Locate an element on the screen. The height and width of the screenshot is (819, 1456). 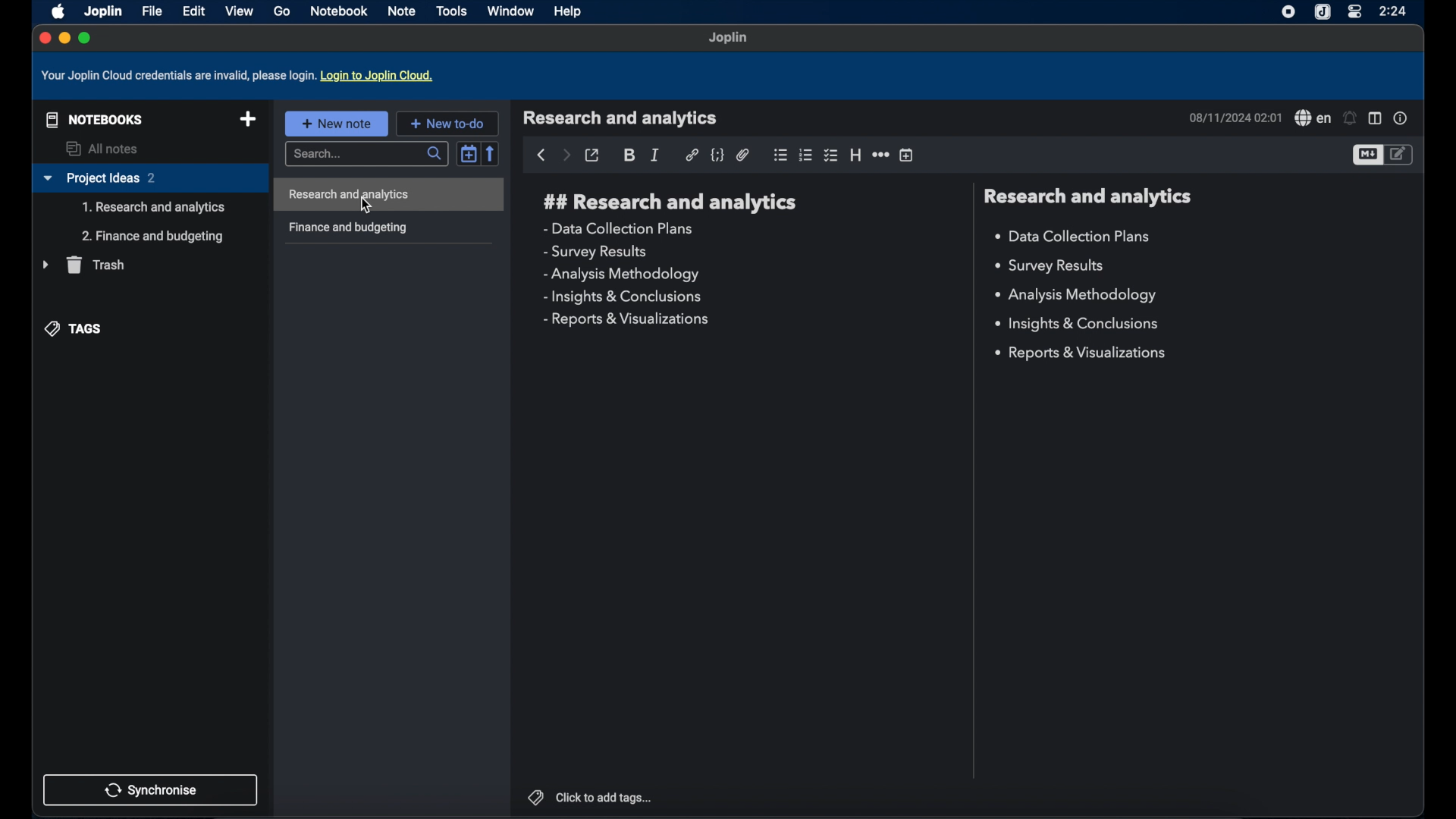
toggle editor is located at coordinates (1367, 155).